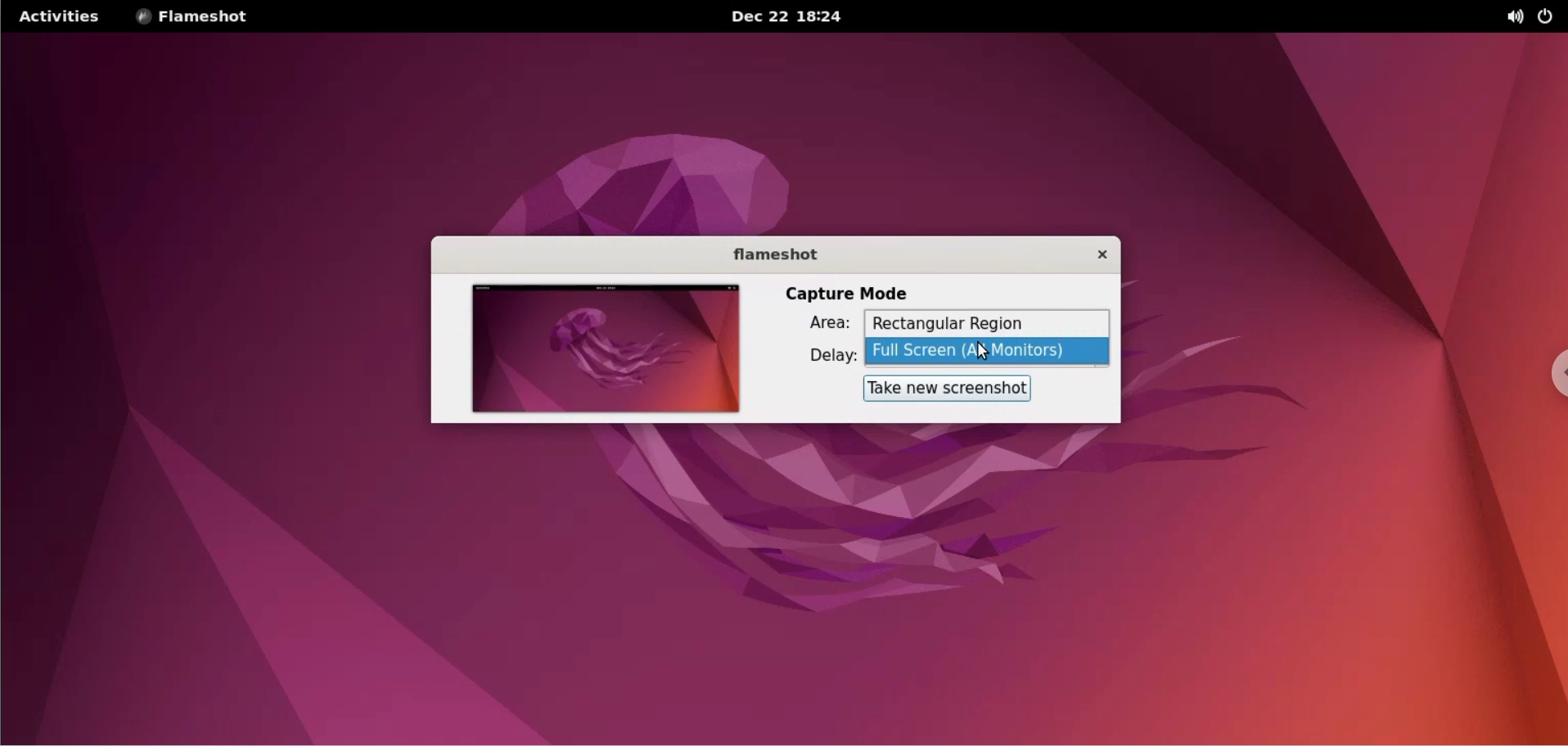 This screenshot has height=746, width=1568. I want to click on full screen , so click(991, 351).